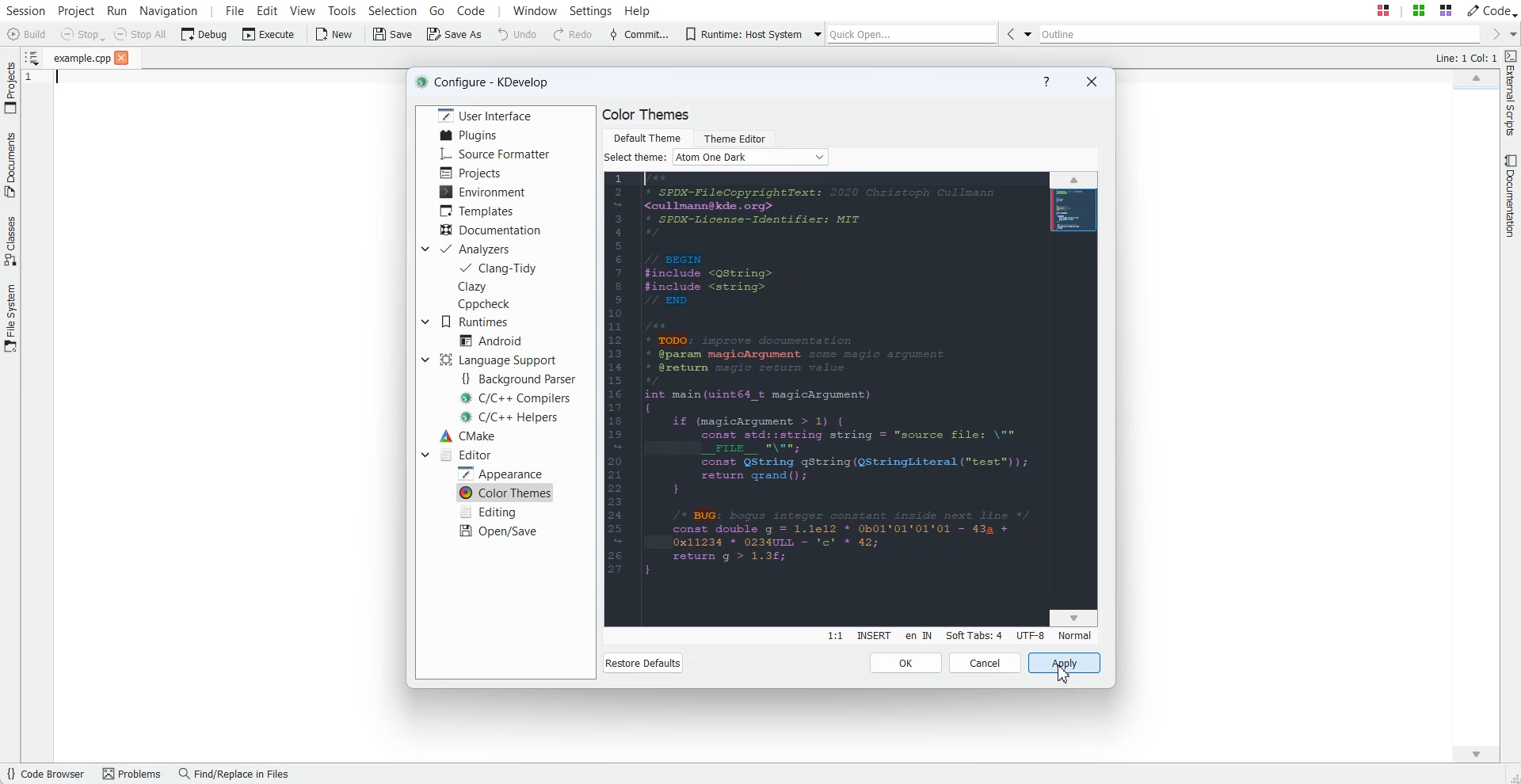 The image size is (1521, 784). What do you see at coordinates (1030, 635) in the screenshot?
I see `UTF-8` at bounding box center [1030, 635].